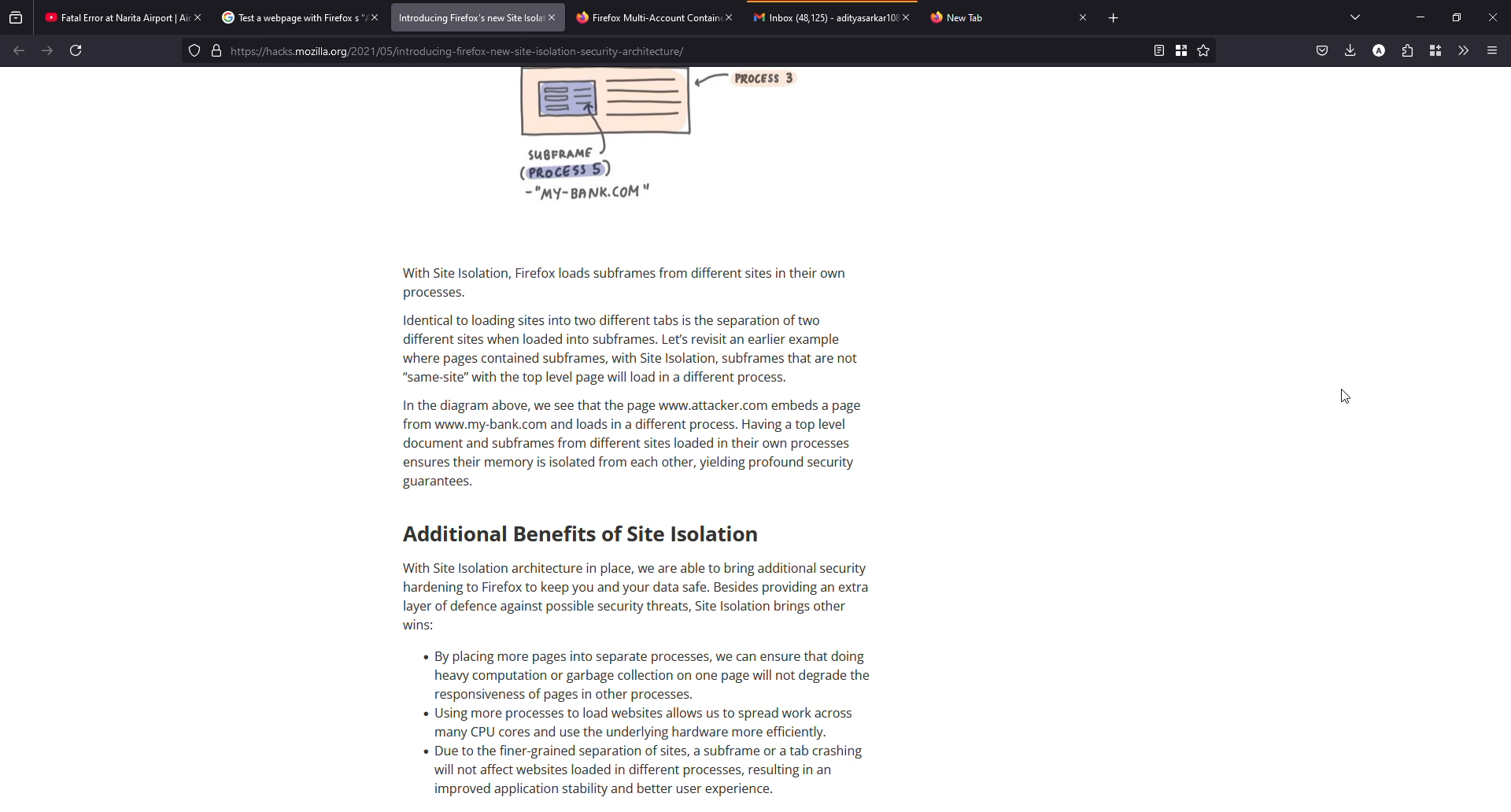 The height and width of the screenshot is (812, 1511). I want to click on lock, so click(216, 50).